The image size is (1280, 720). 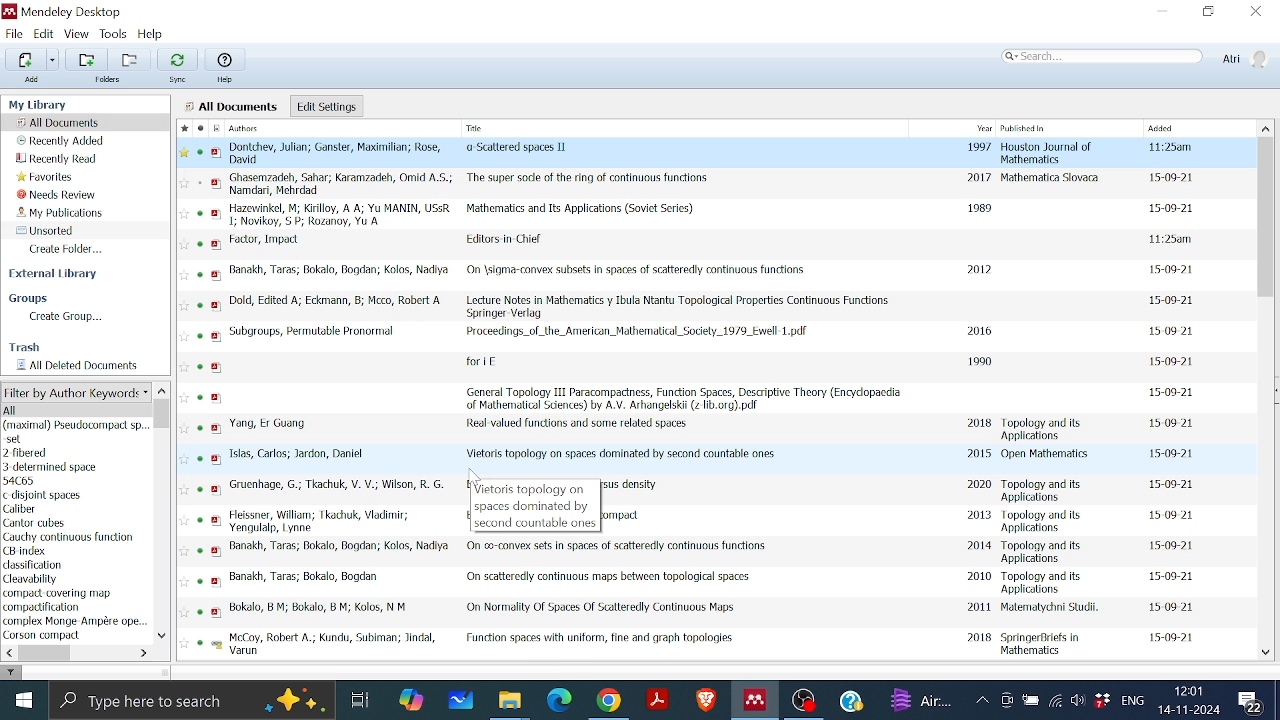 What do you see at coordinates (979, 543) in the screenshot?
I see `2014` at bounding box center [979, 543].